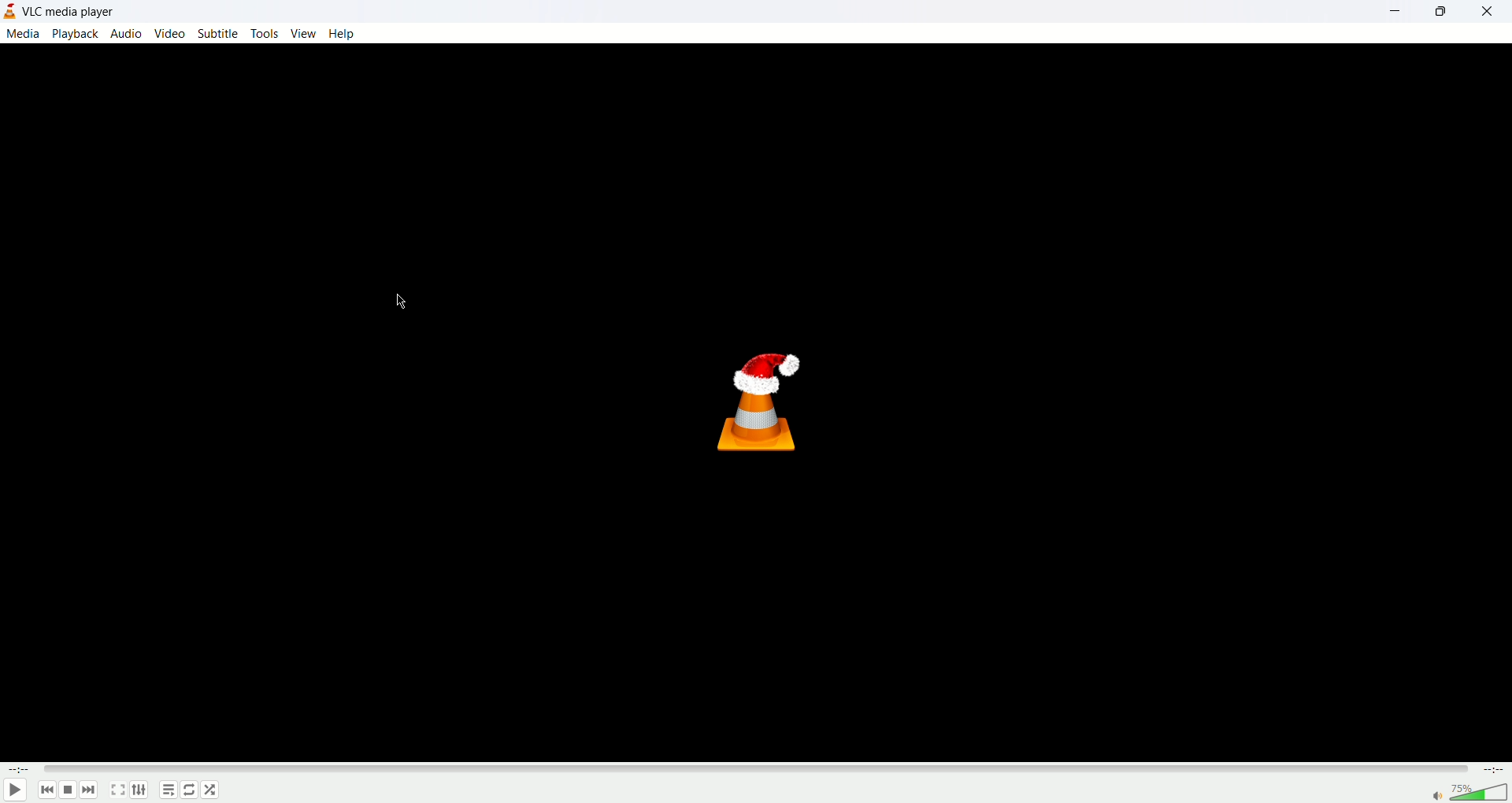  Describe the element at coordinates (72, 10) in the screenshot. I see `vlc media player` at that location.